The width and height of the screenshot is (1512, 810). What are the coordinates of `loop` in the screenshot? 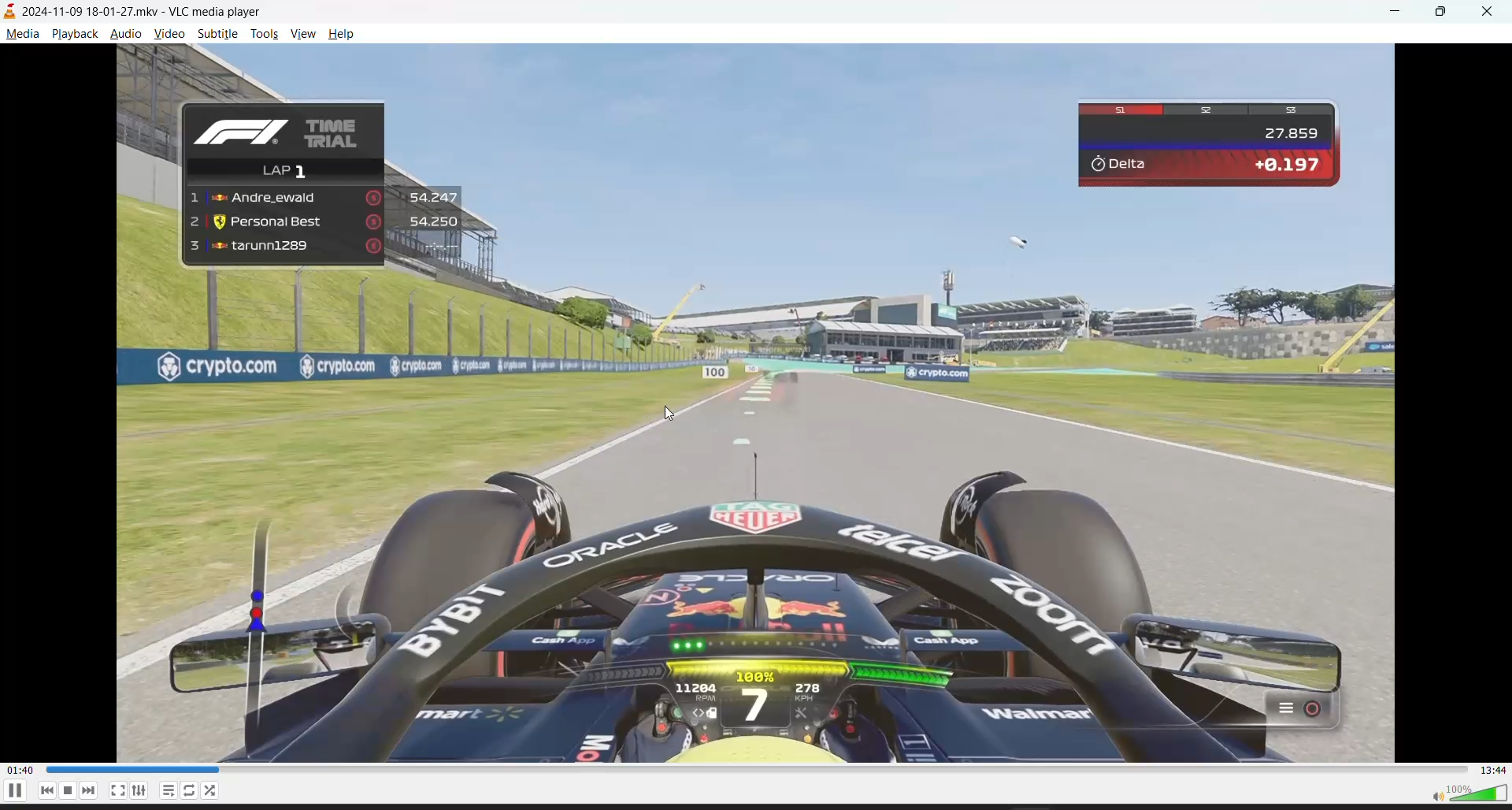 It's located at (189, 790).